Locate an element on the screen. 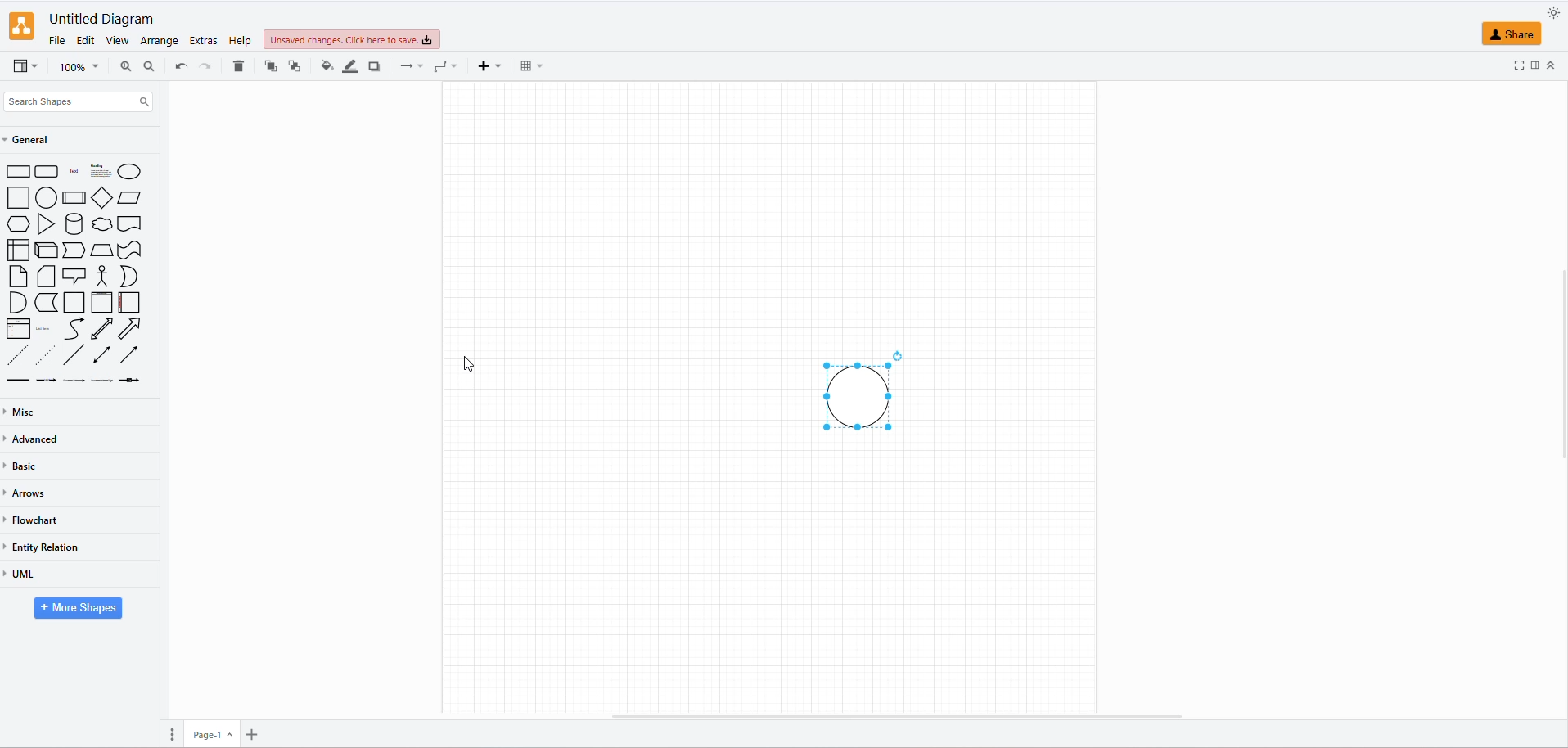  NOTE is located at coordinates (16, 277).